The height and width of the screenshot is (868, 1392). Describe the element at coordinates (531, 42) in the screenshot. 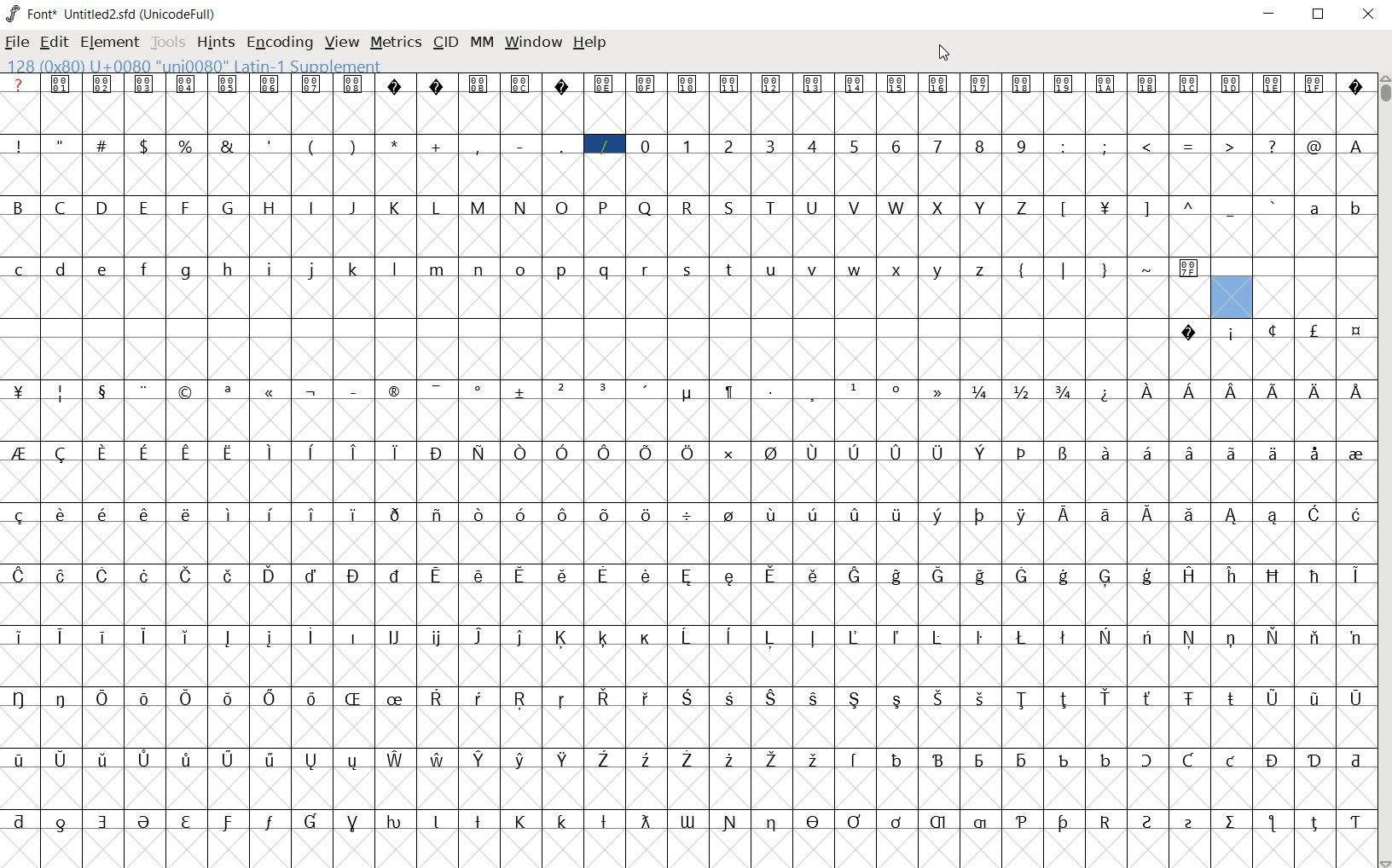

I see `WINDOW` at that location.